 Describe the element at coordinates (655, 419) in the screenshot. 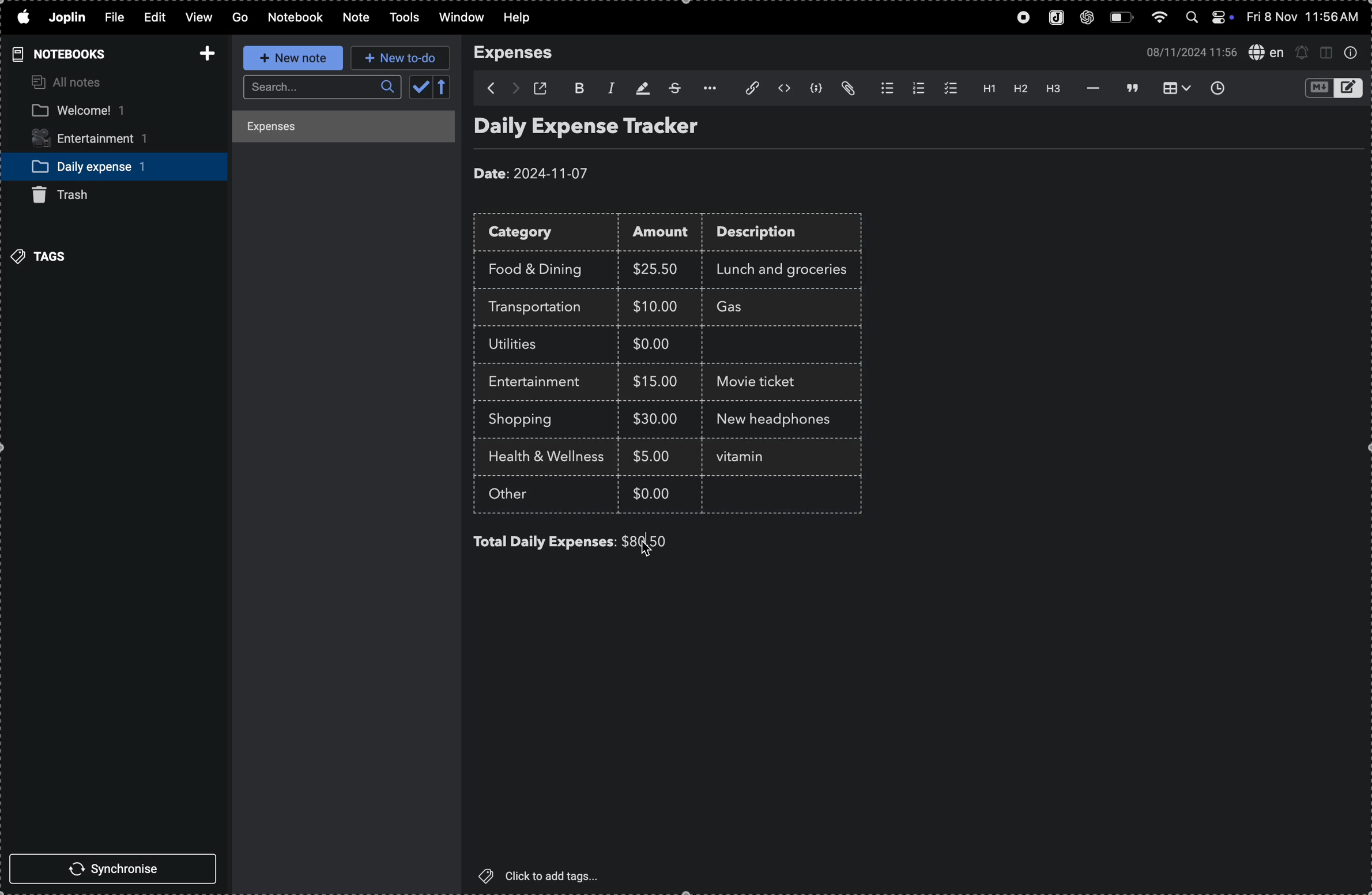

I see `$30.00` at that location.